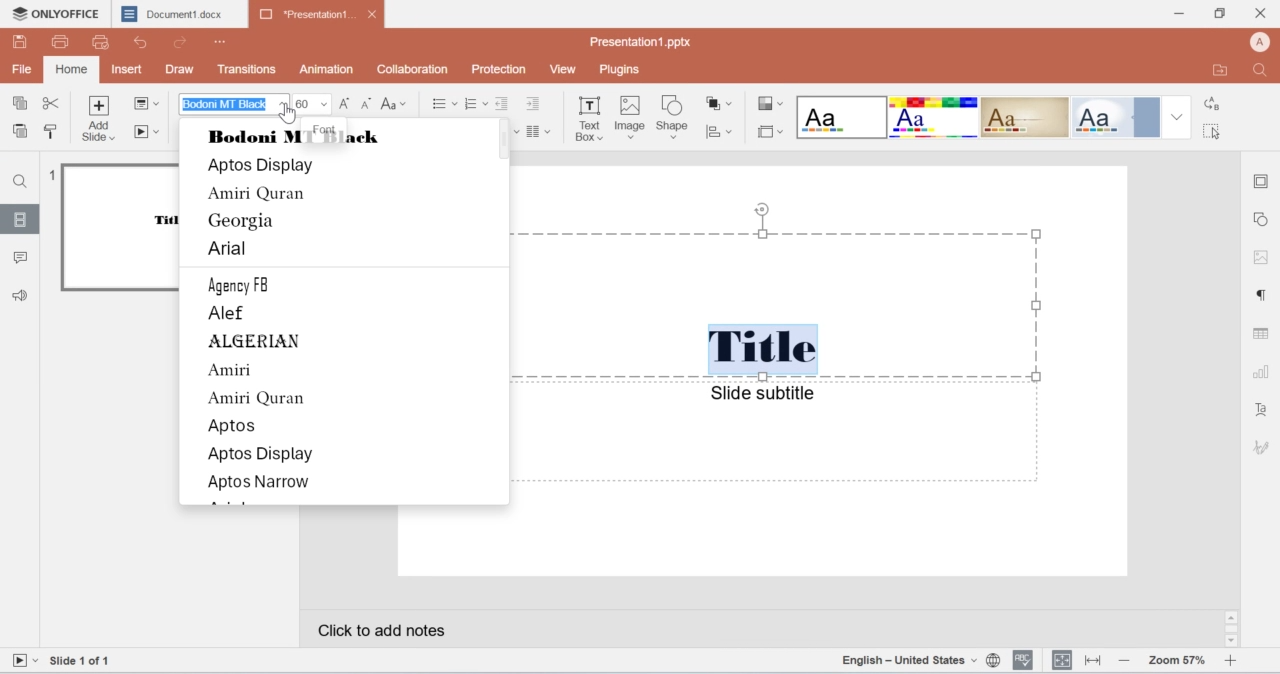 This screenshot has width=1280, height=674. What do you see at coordinates (235, 426) in the screenshot?
I see `Aptos` at bounding box center [235, 426].